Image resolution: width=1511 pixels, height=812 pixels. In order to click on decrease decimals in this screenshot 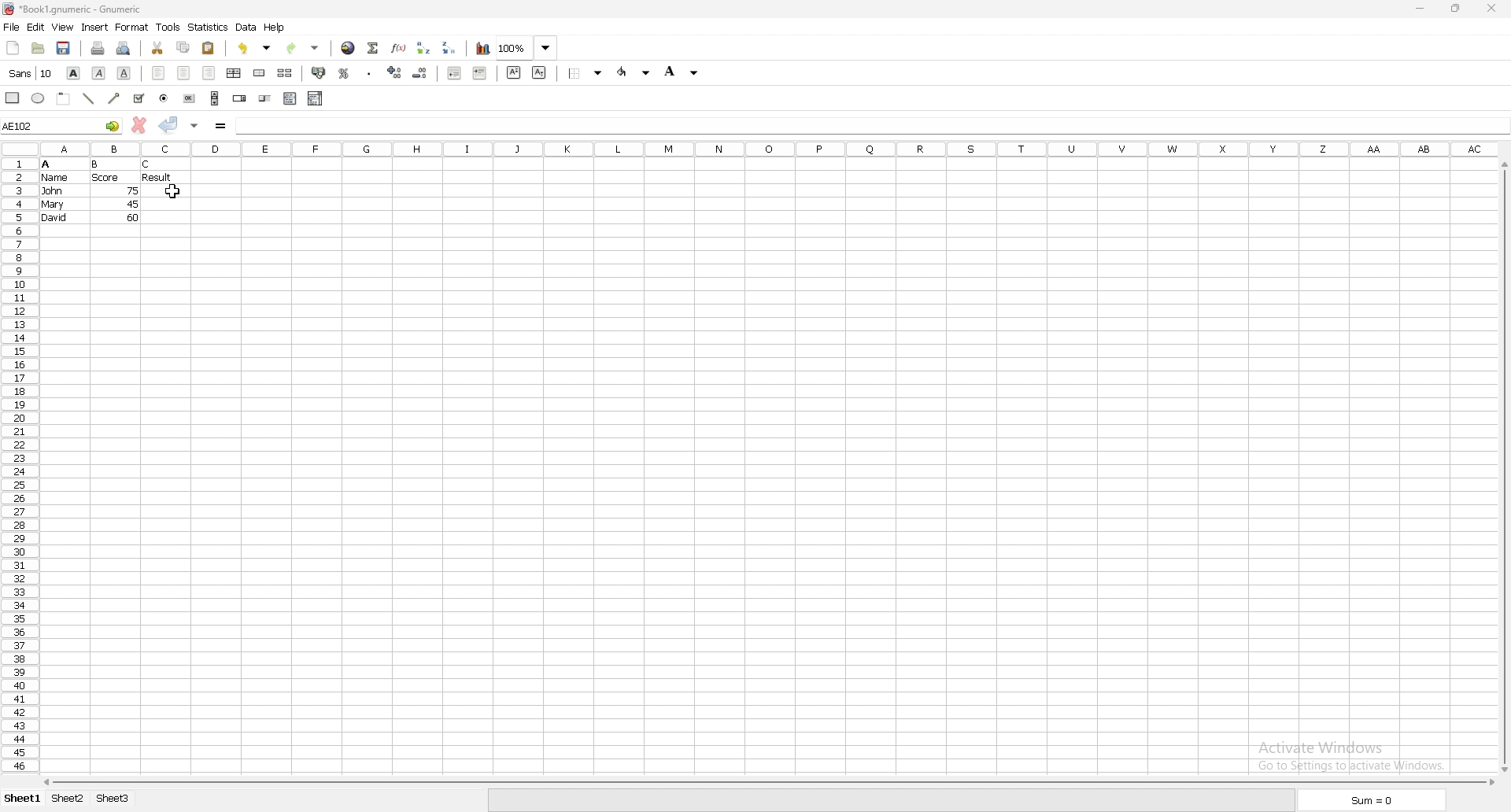, I will do `click(421, 73)`.